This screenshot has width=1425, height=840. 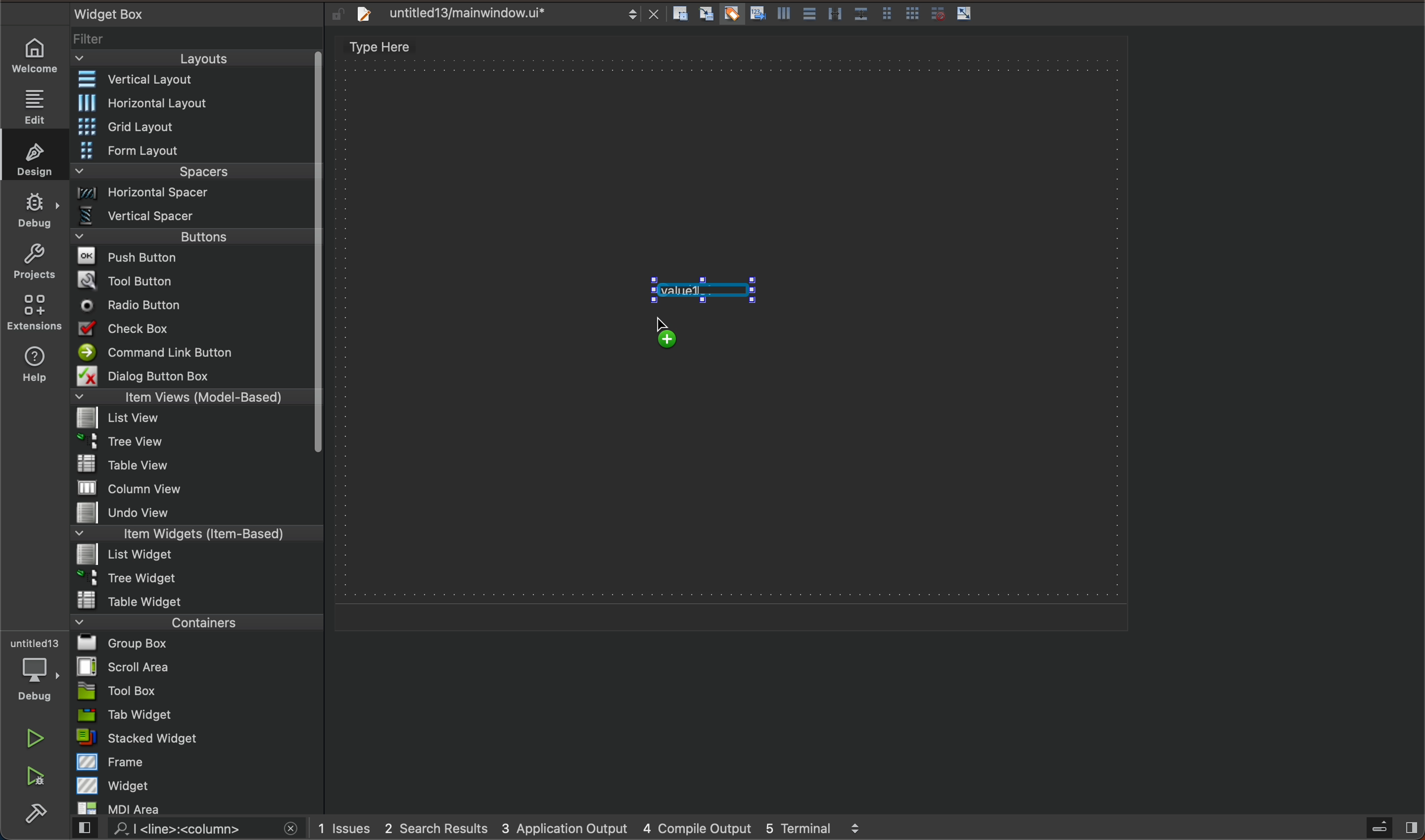 What do you see at coordinates (198, 642) in the screenshot?
I see `group box` at bounding box center [198, 642].